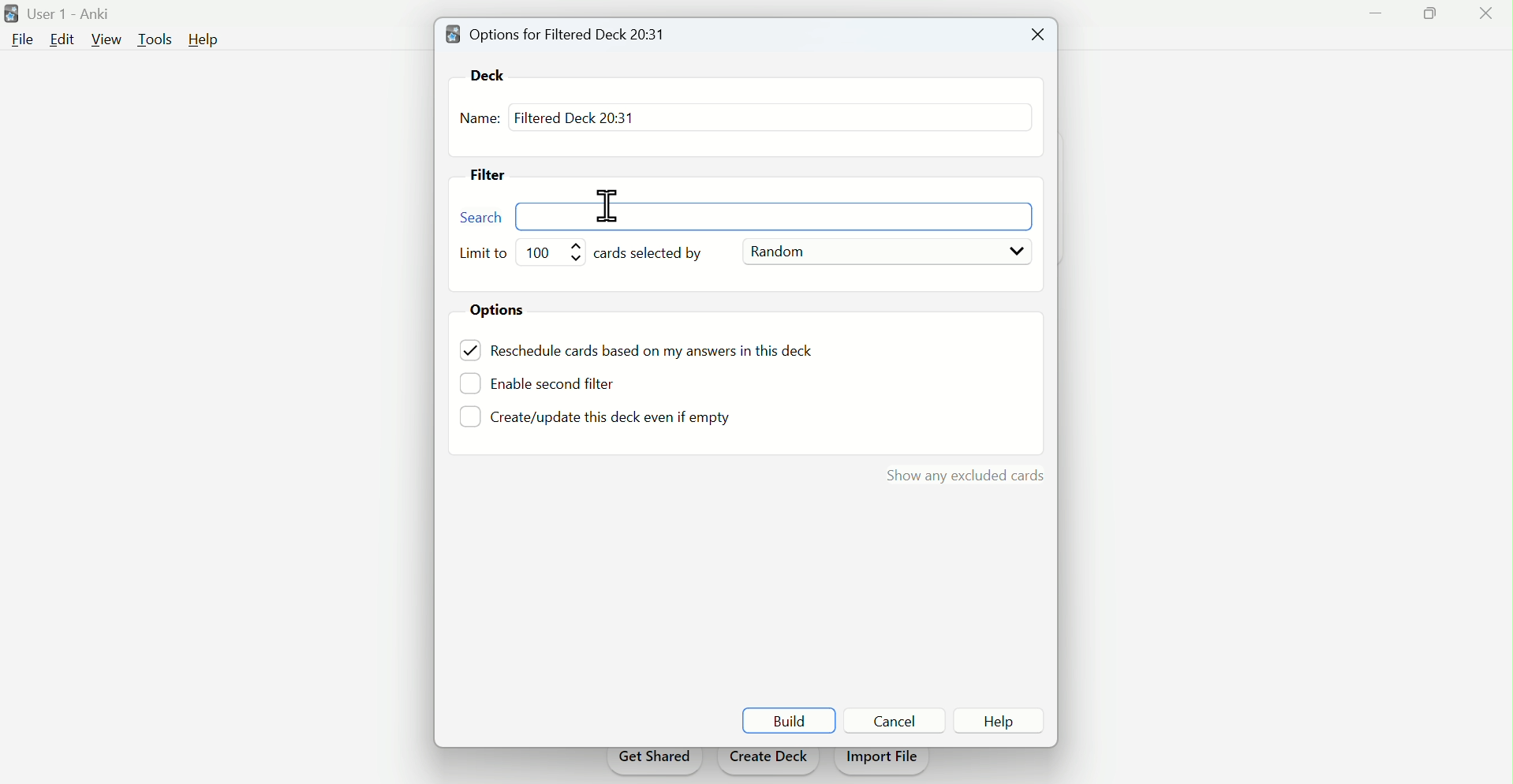 The image size is (1513, 784). What do you see at coordinates (1423, 20) in the screenshot?
I see `Maximise` at bounding box center [1423, 20].